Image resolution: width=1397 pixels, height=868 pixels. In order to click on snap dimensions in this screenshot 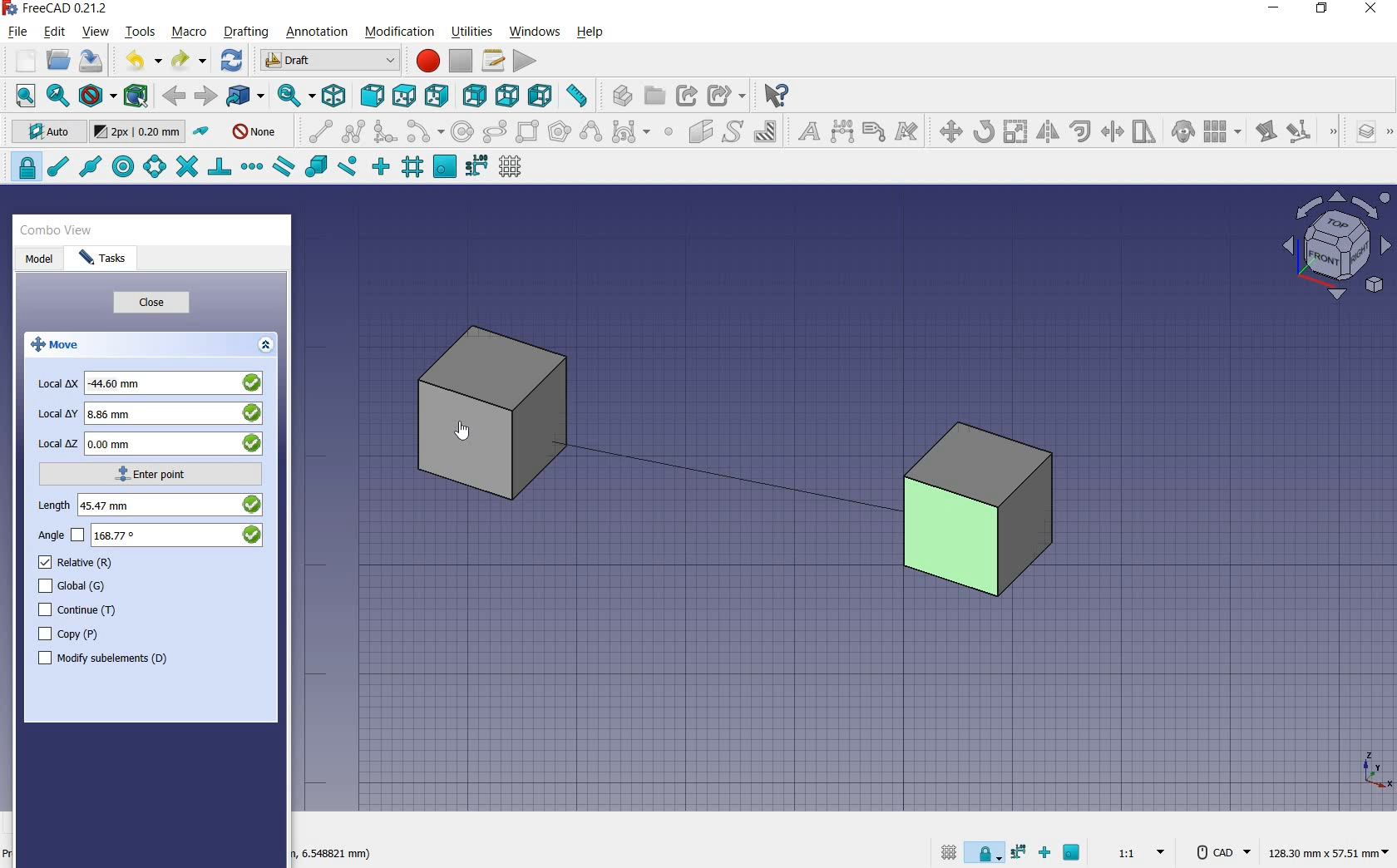, I will do `click(1019, 851)`.